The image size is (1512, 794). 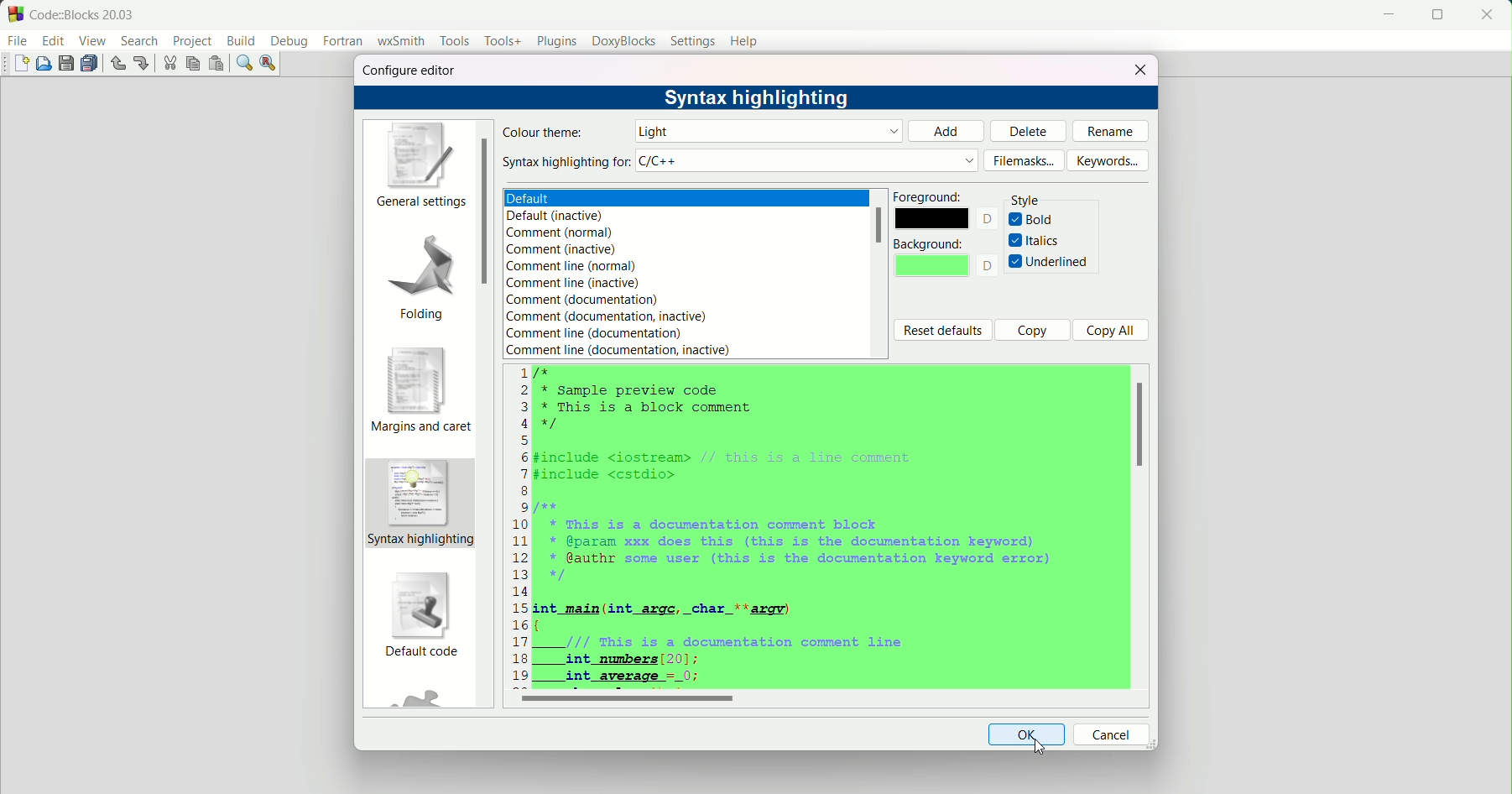 What do you see at coordinates (242, 40) in the screenshot?
I see `build` at bounding box center [242, 40].